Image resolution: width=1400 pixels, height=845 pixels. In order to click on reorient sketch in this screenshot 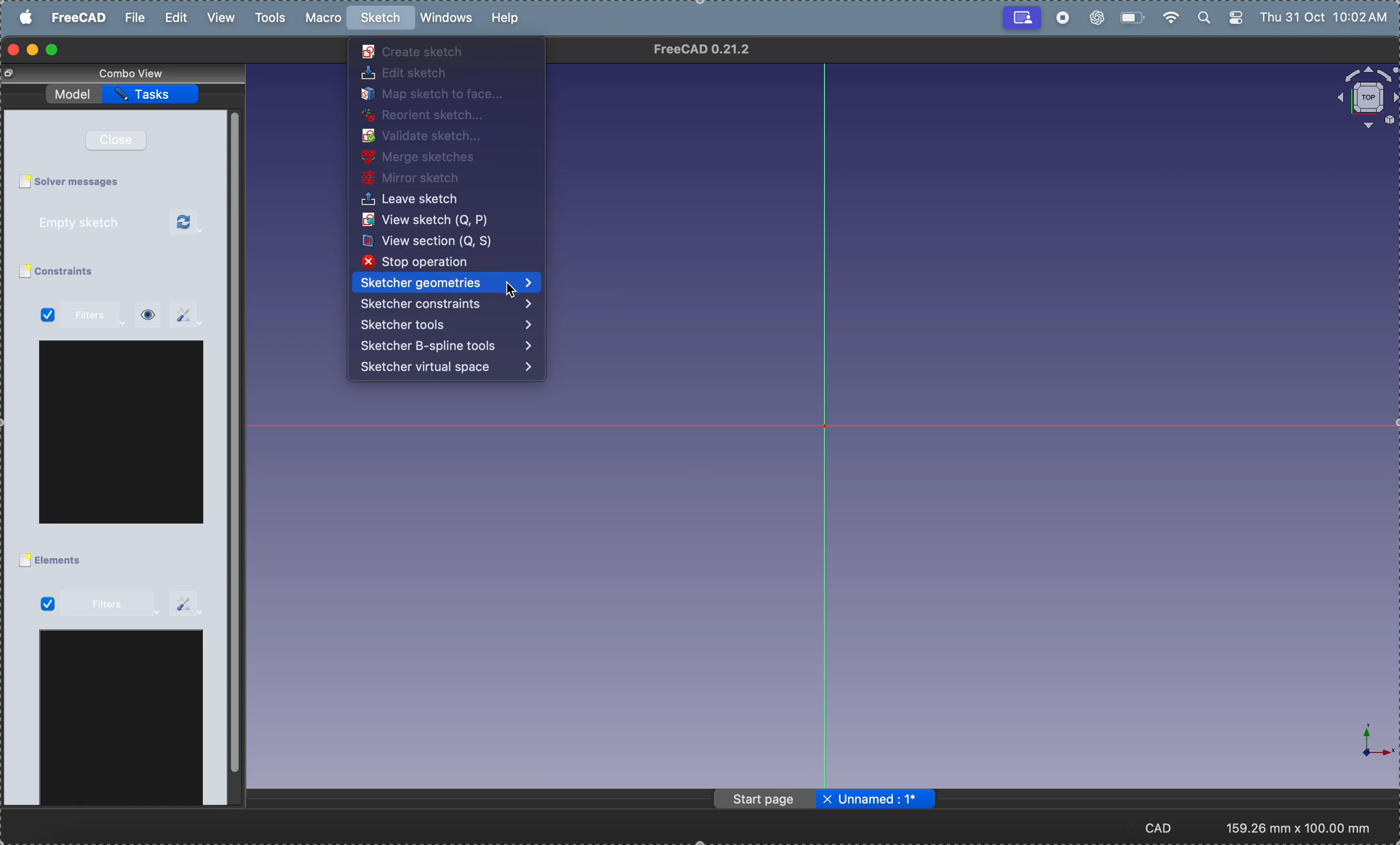, I will do `click(441, 116)`.